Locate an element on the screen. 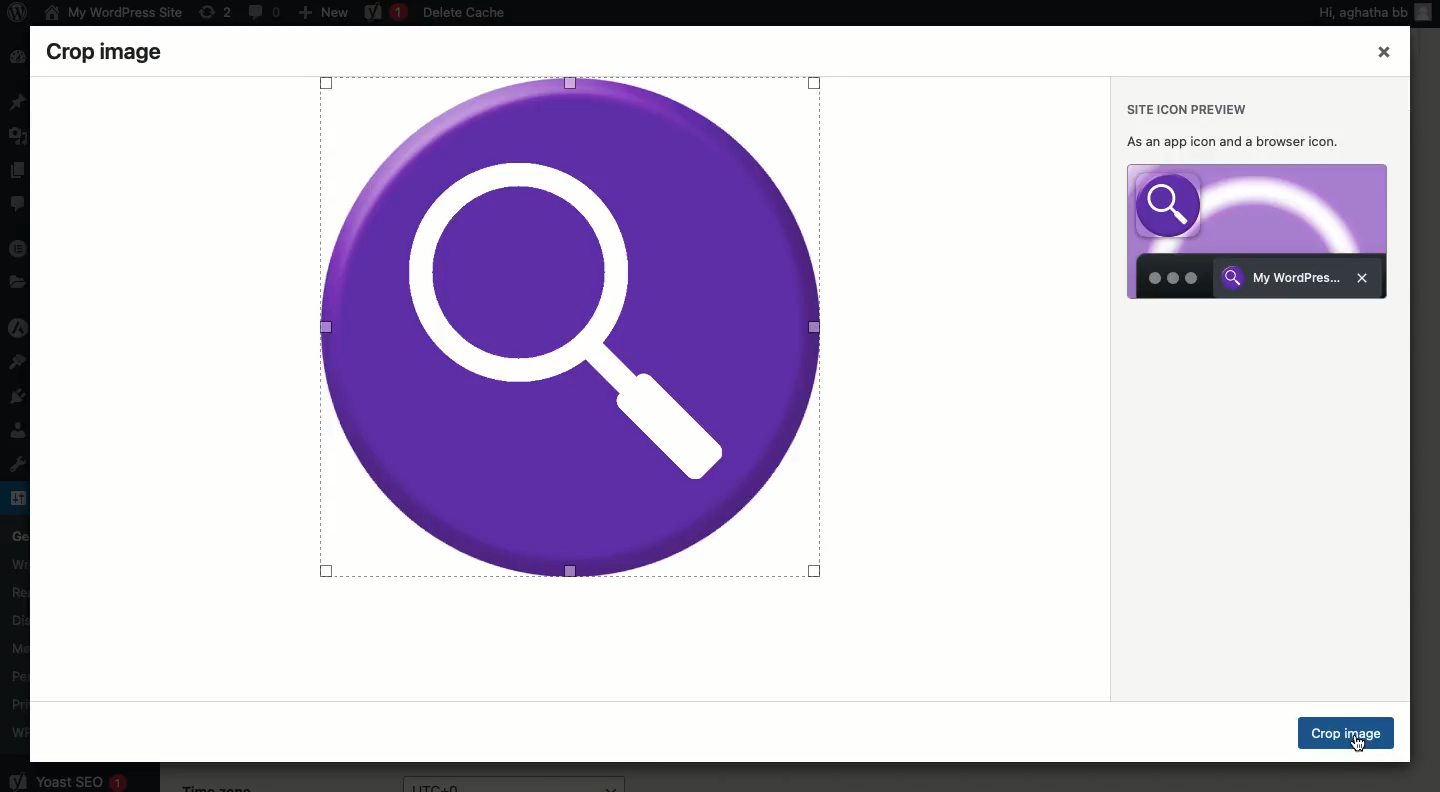 Image resolution: width=1440 pixels, height=792 pixels. SITE ICON PREVIEW.
As an app icon and a browser icon. is located at coordinates (1240, 124).